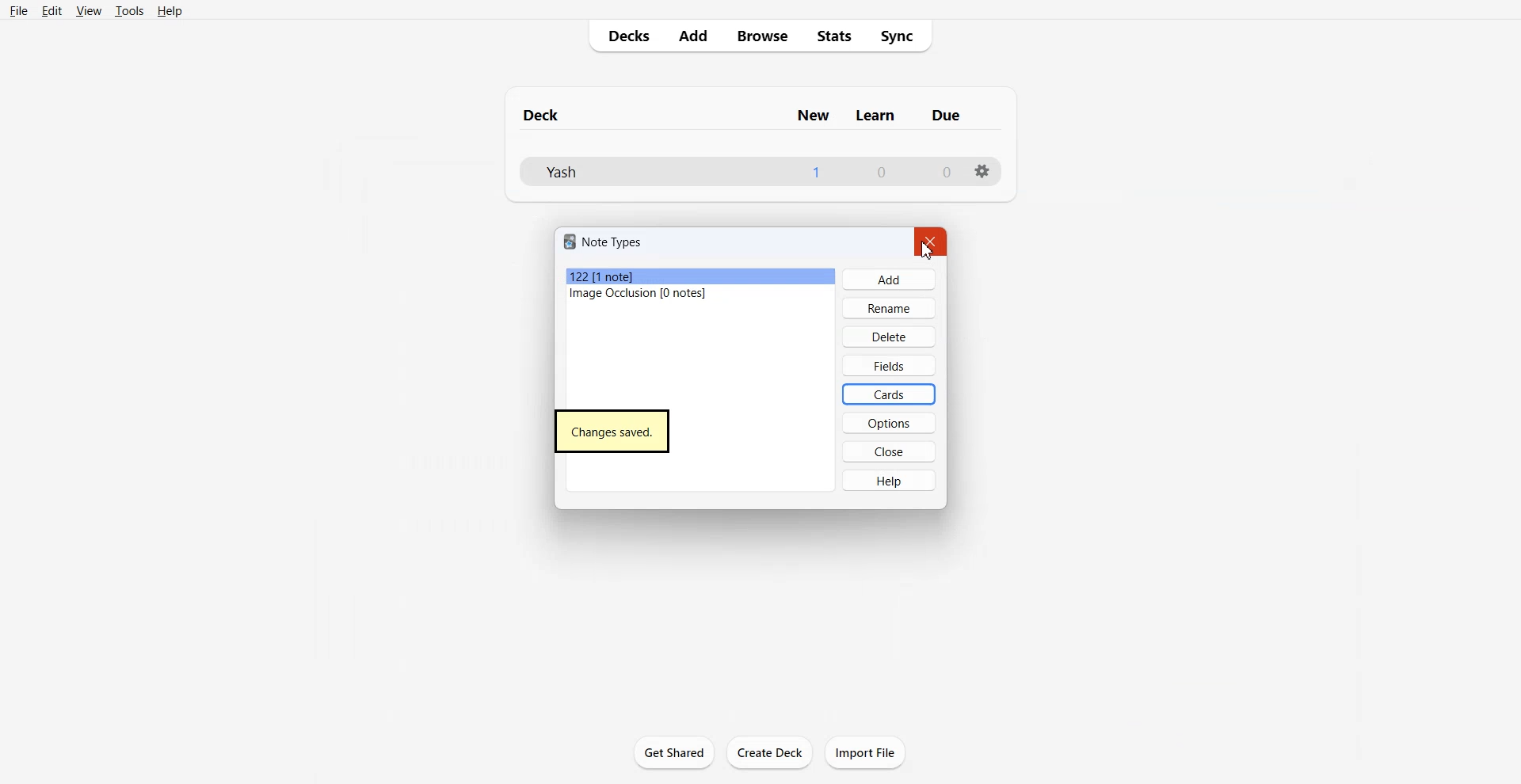 This screenshot has height=784, width=1521. Describe the element at coordinates (745, 116) in the screenshot. I see `Text 1` at that location.